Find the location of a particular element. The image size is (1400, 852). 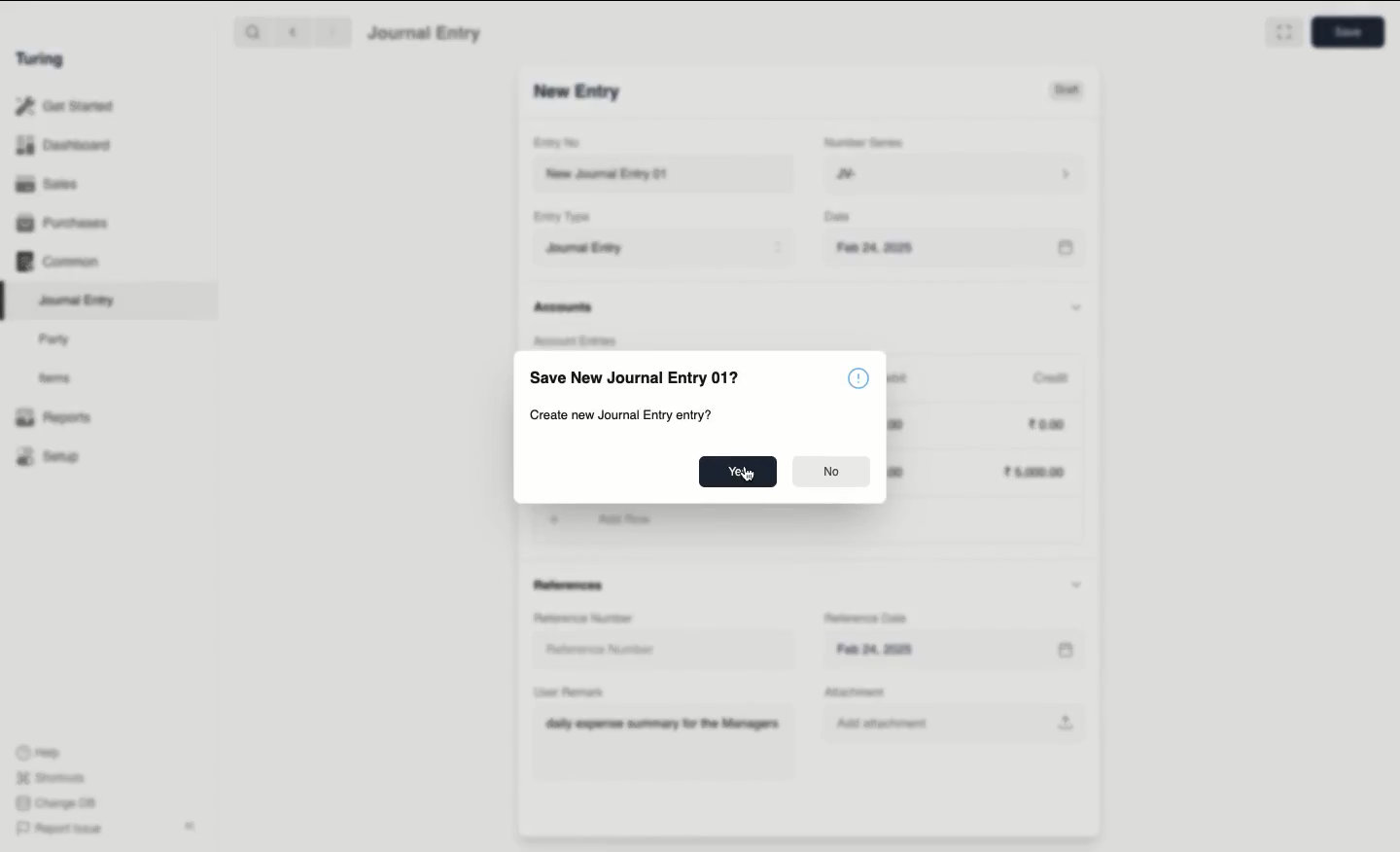

Dashboard is located at coordinates (63, 146).